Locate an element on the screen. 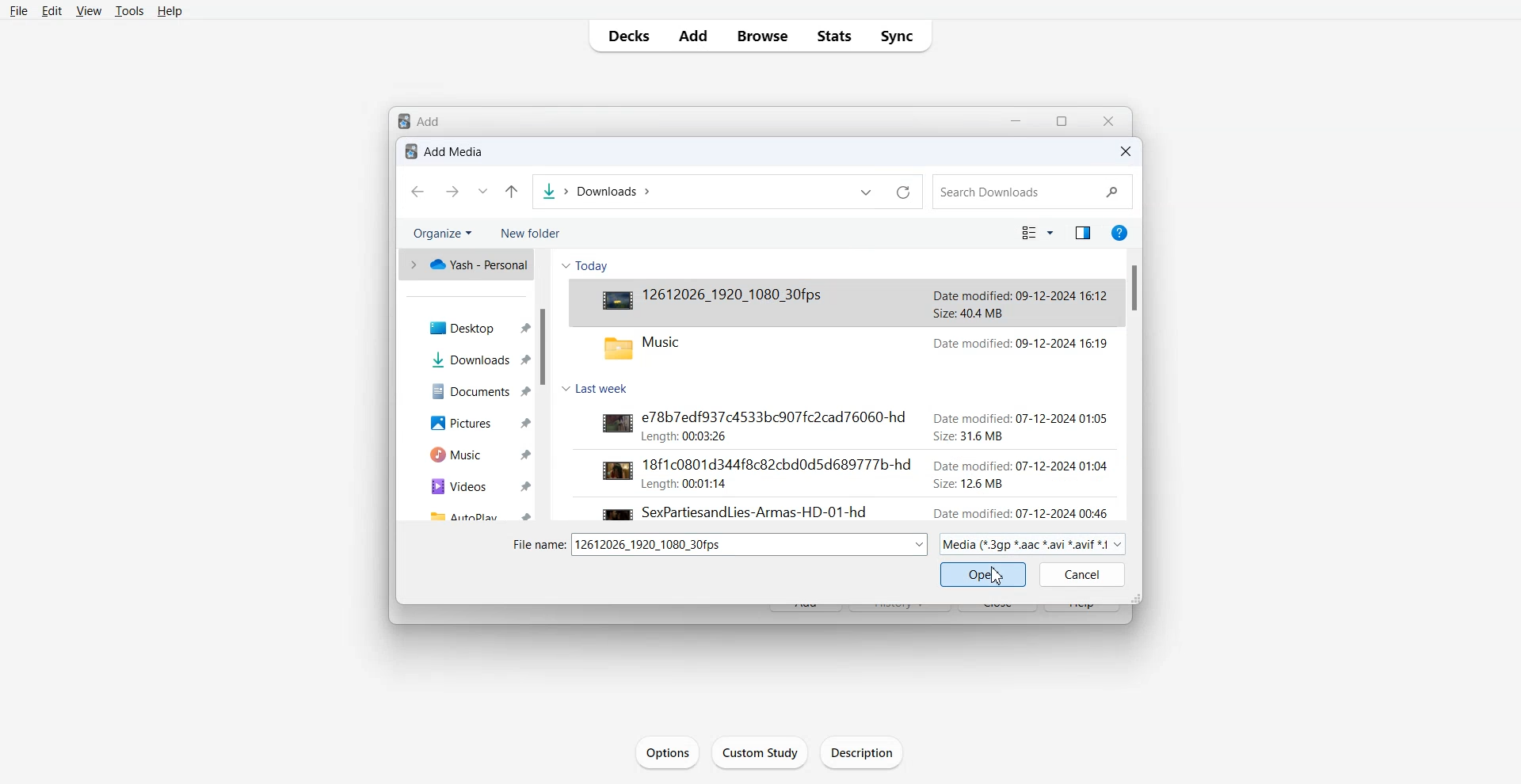 This screenshot has height=784, width=1521. Videos is located at coordinates (473, 488).